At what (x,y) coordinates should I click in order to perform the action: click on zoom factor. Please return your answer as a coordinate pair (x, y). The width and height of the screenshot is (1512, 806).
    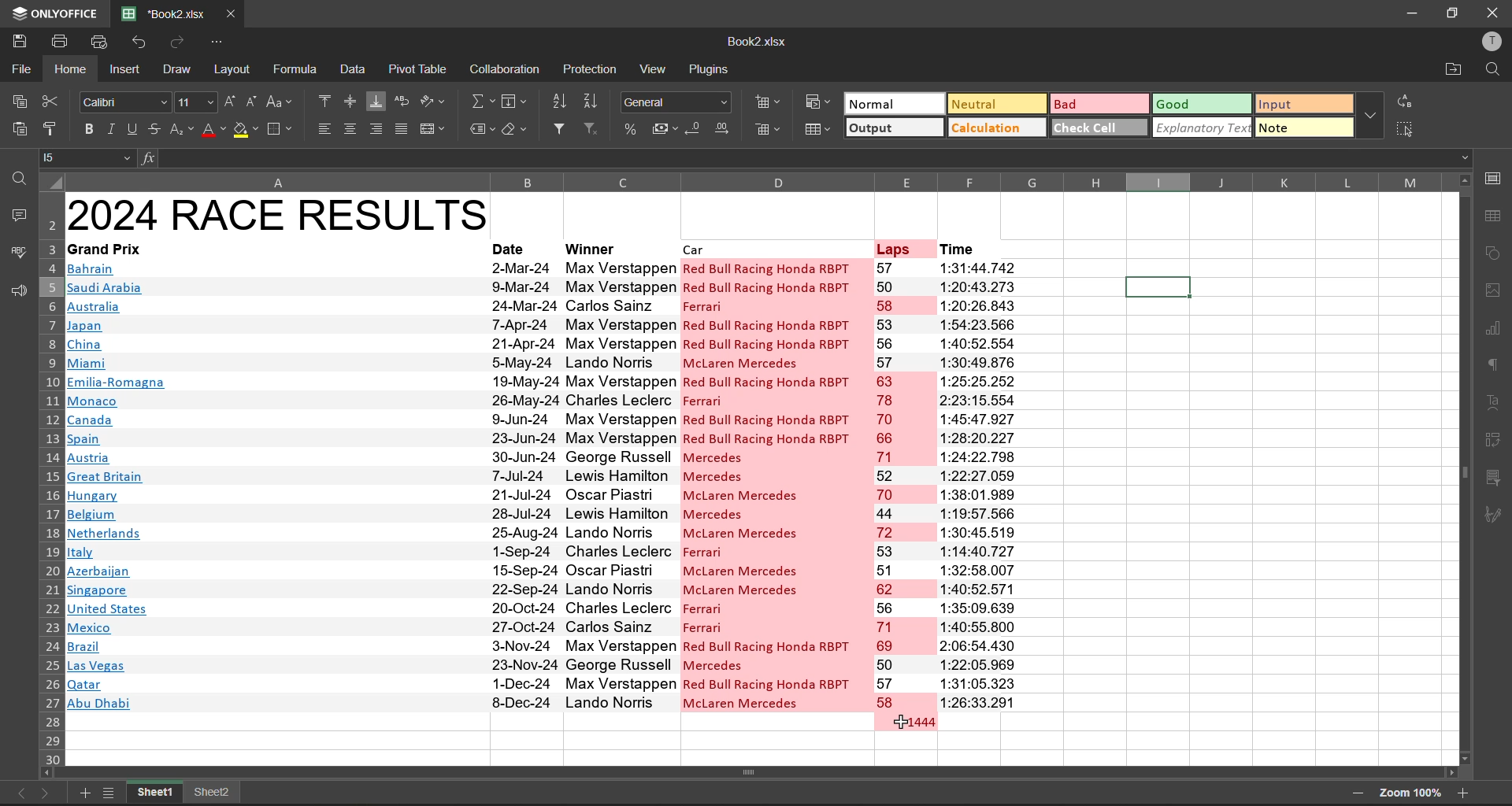
    Looking at the image, I should click on (1409, 792).